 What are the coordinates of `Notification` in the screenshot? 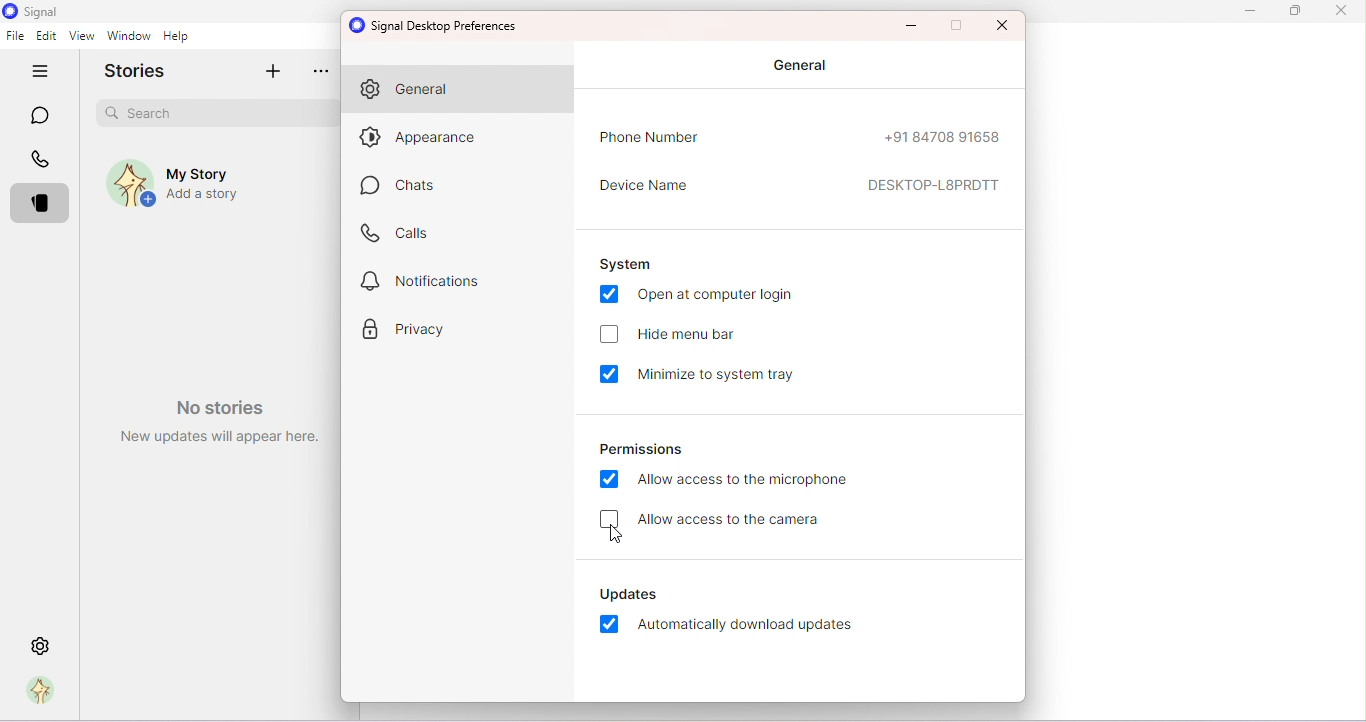 It's located at (420, 285).